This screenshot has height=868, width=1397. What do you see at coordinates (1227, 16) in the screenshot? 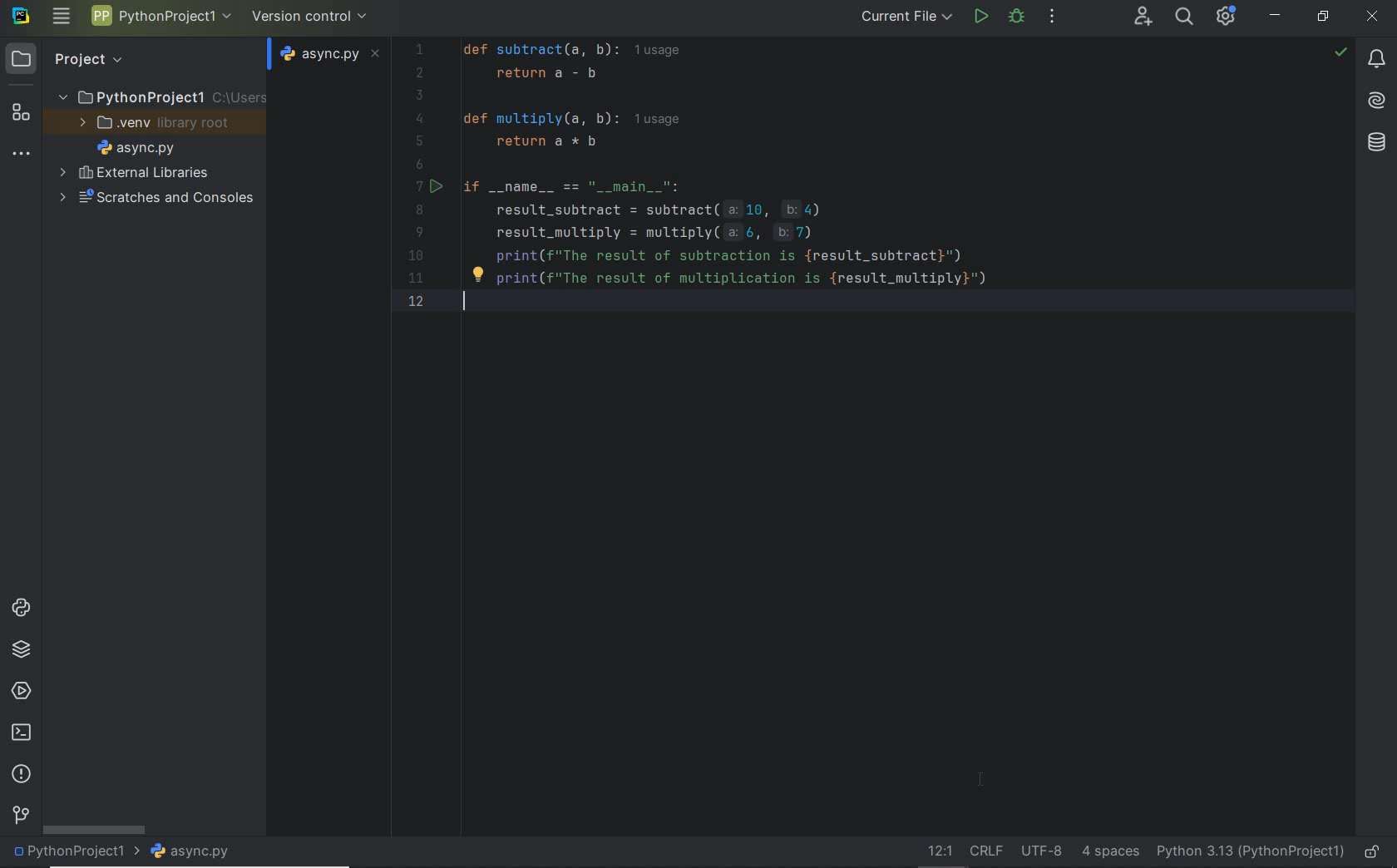
I see `IDE & Project Settings` at bounding box center [1227, 16].